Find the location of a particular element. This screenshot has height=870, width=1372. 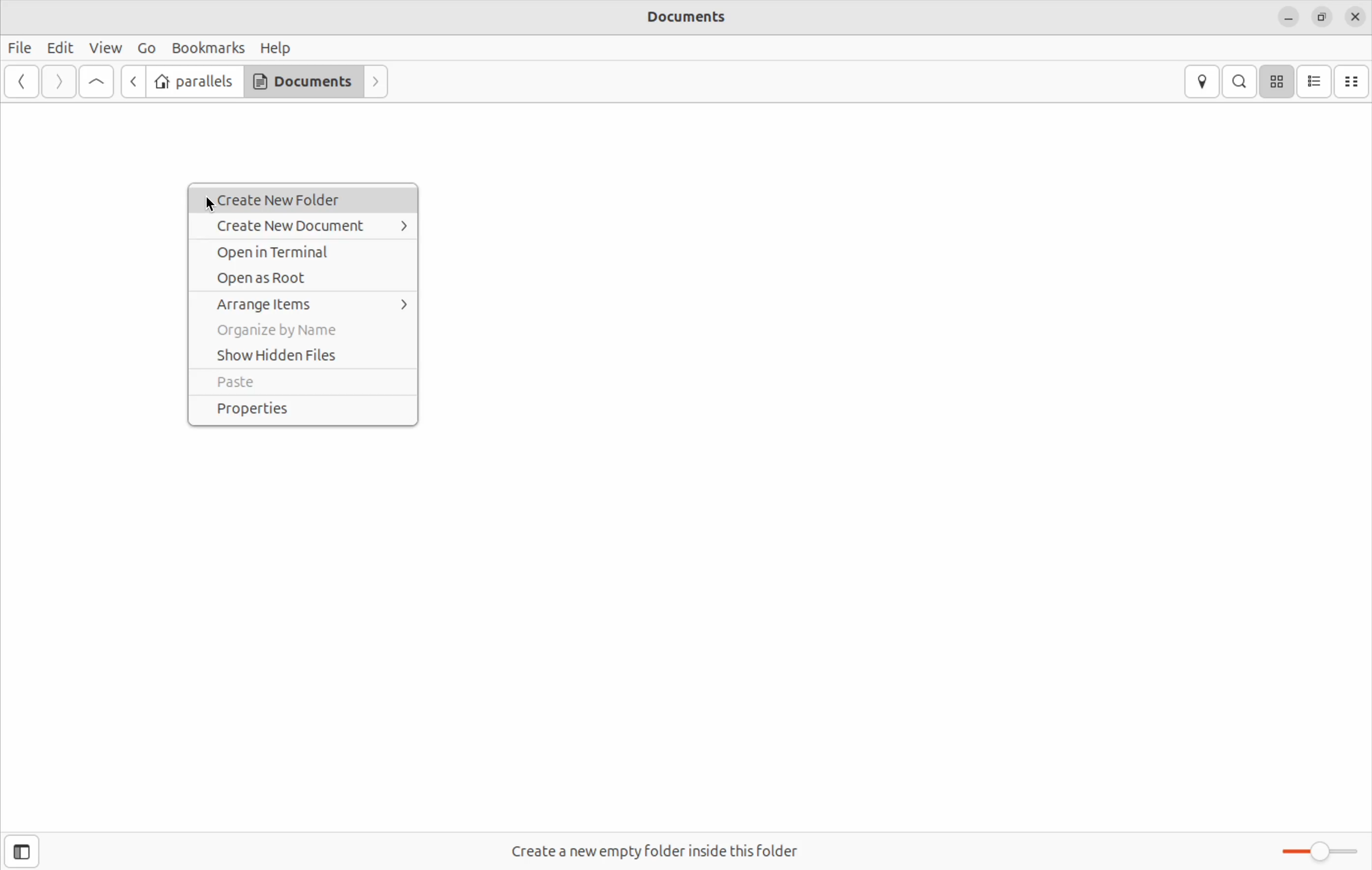

Forward is located at coordinates (375, 82).